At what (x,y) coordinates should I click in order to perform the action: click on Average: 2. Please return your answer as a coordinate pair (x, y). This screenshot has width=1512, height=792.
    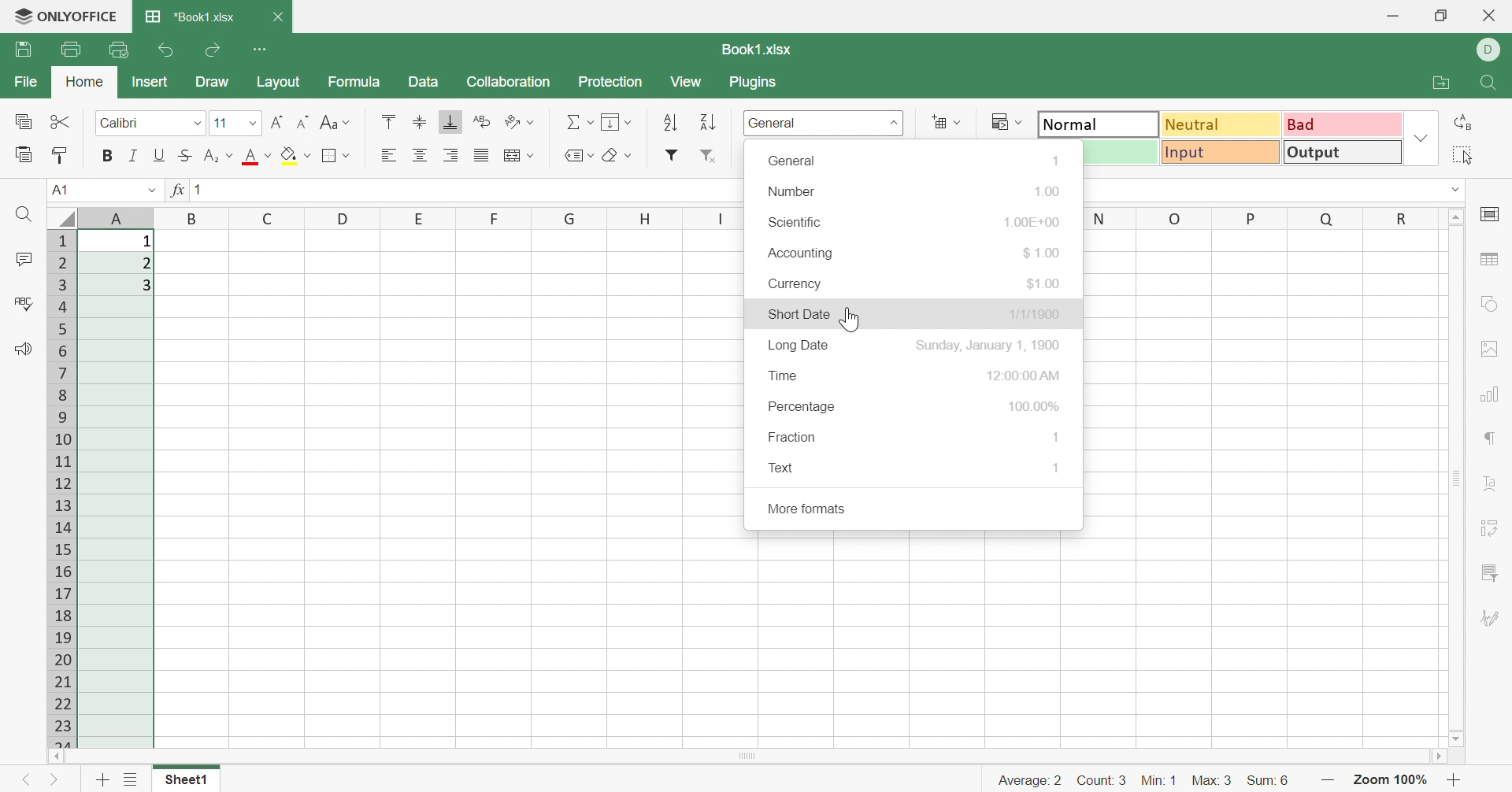
    Looking at the image, I should click on (1030, 780).